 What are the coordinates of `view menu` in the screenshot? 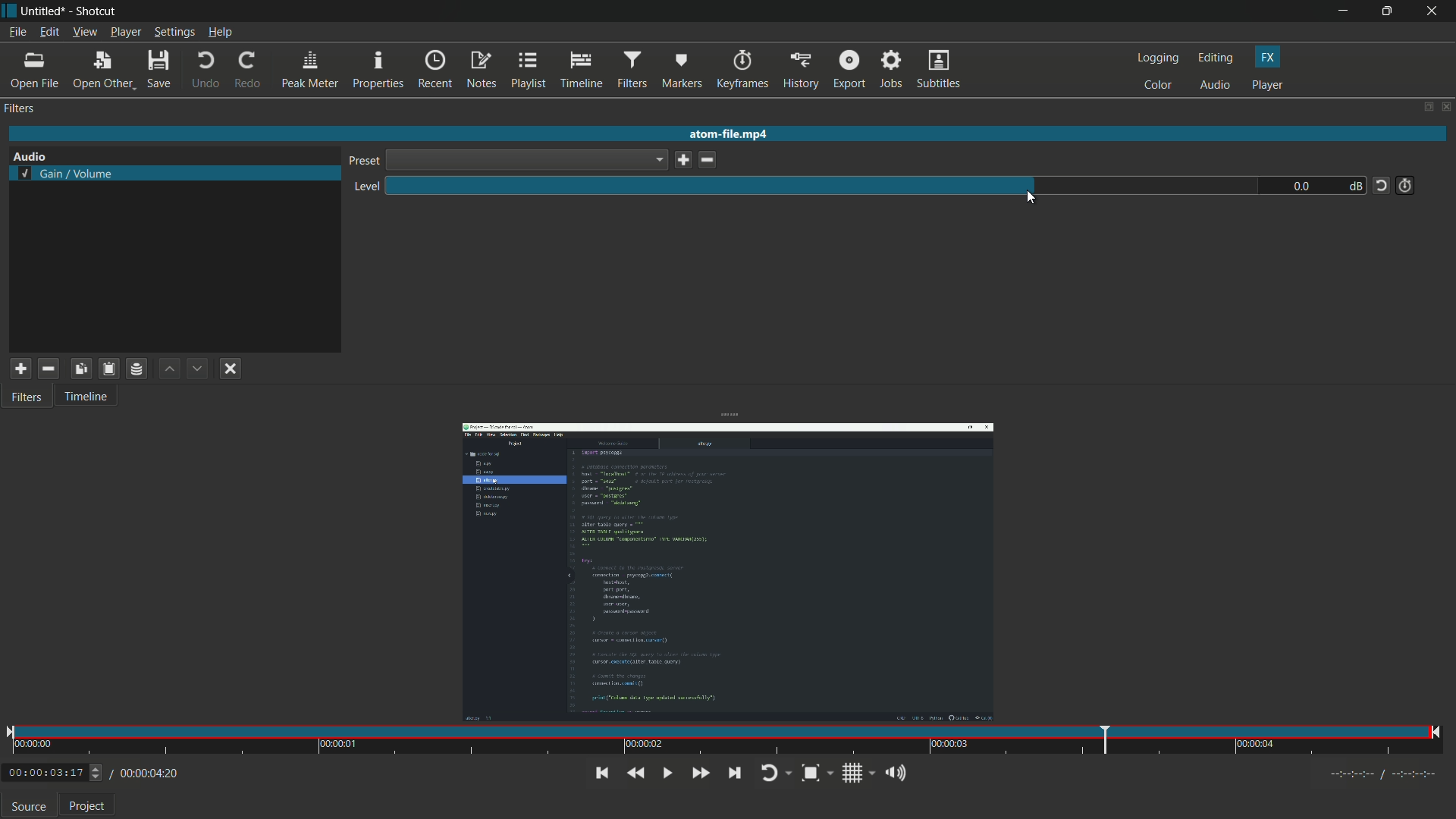 It's located at (84, 33).